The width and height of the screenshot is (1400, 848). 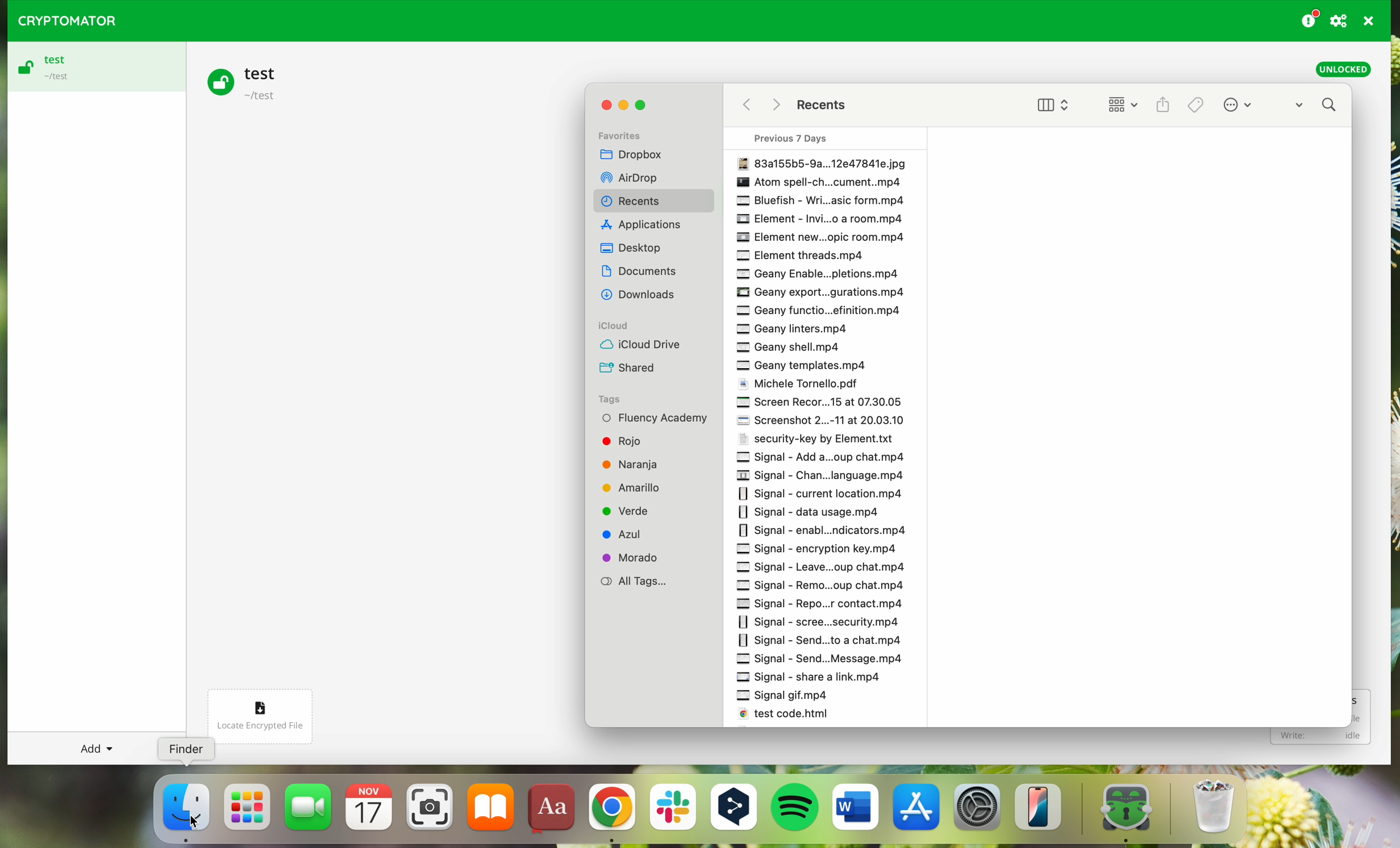 I want to click on Bluefish, so click(x=814, y=200).